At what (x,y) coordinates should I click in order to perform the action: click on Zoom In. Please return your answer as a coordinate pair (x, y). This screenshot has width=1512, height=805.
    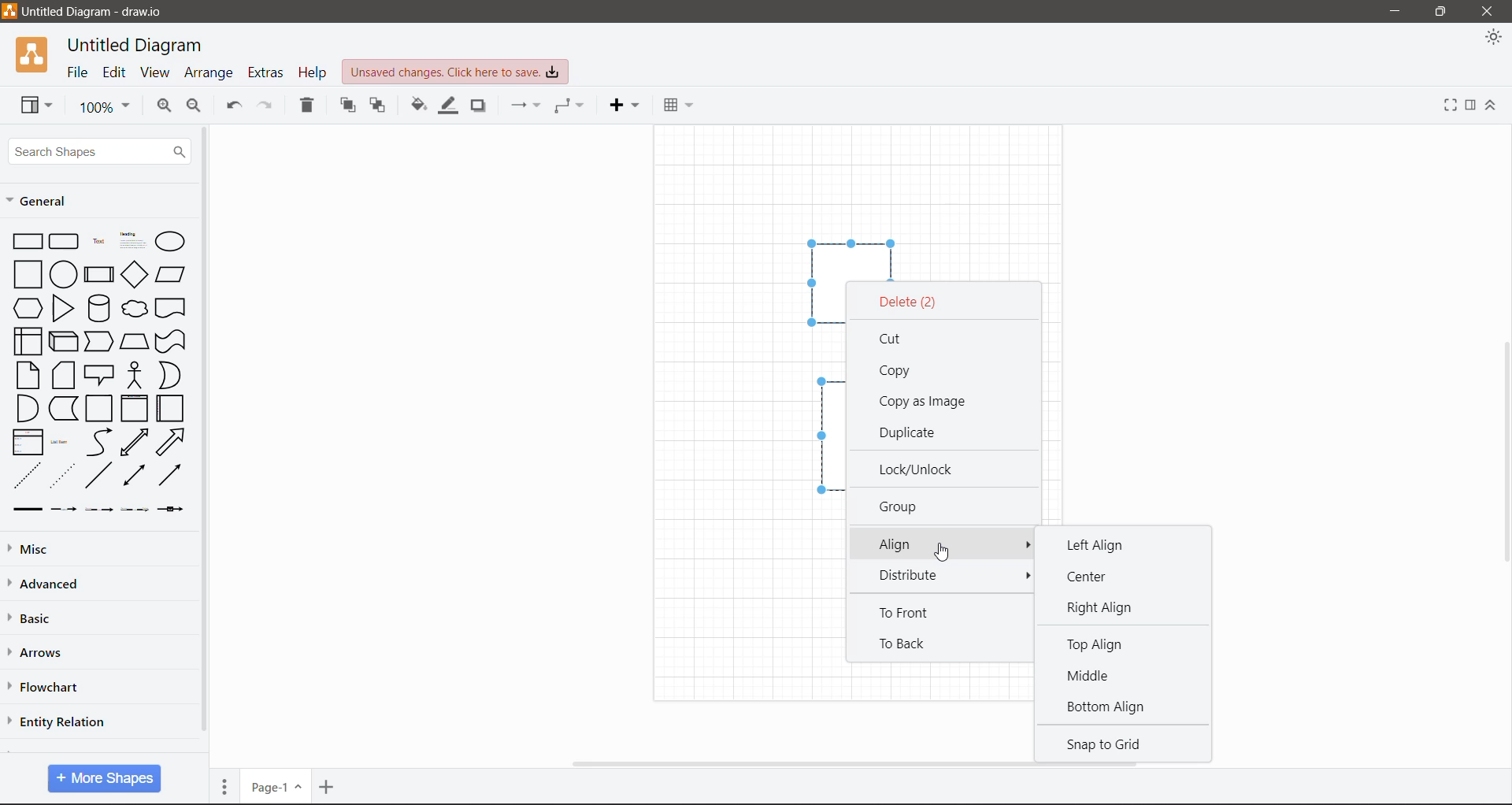
    Looking at the image, I should click on (164, 108).